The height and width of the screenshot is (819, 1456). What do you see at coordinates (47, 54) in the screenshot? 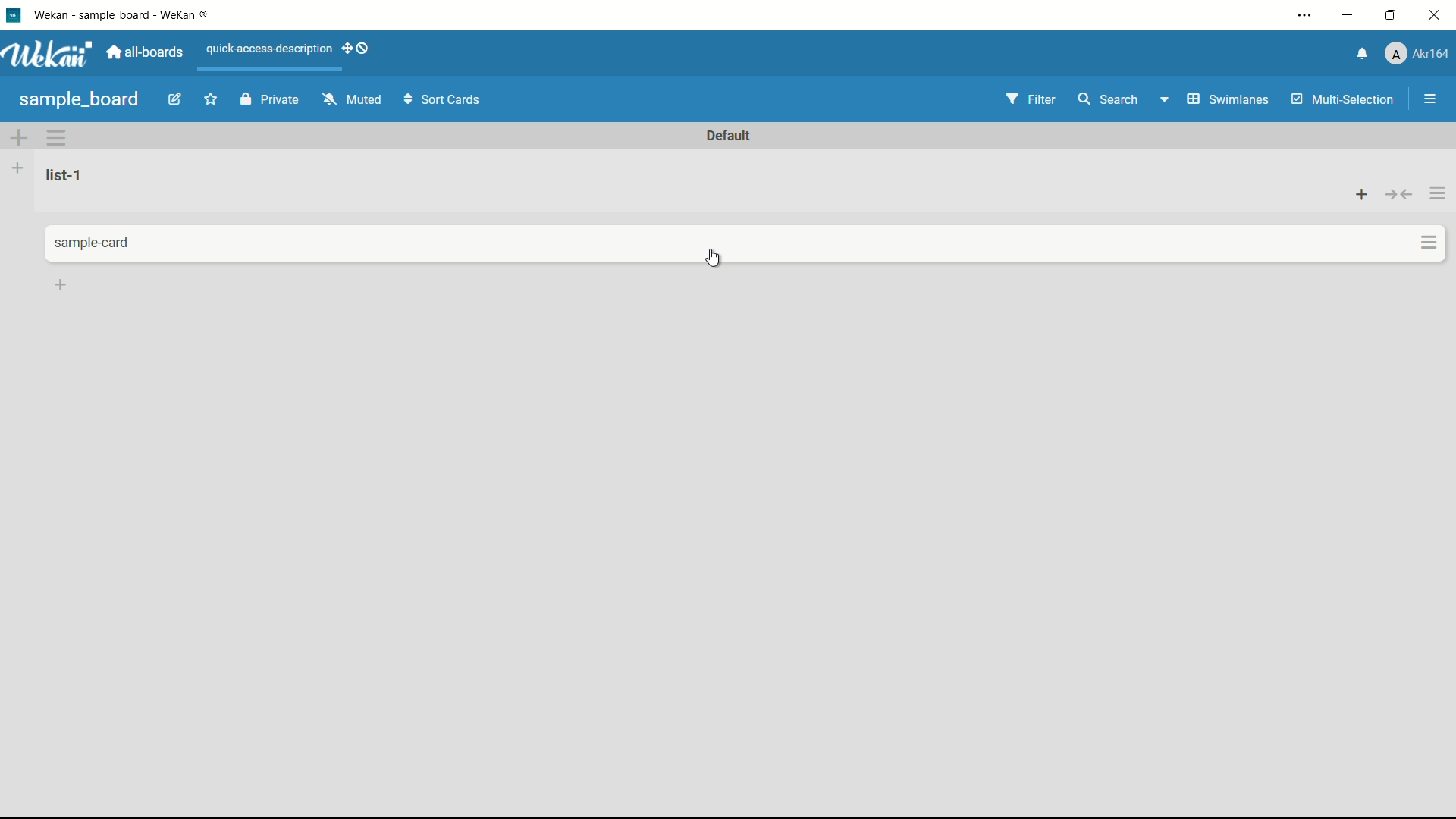
I see `app logo` at bounding box center [47, 54].